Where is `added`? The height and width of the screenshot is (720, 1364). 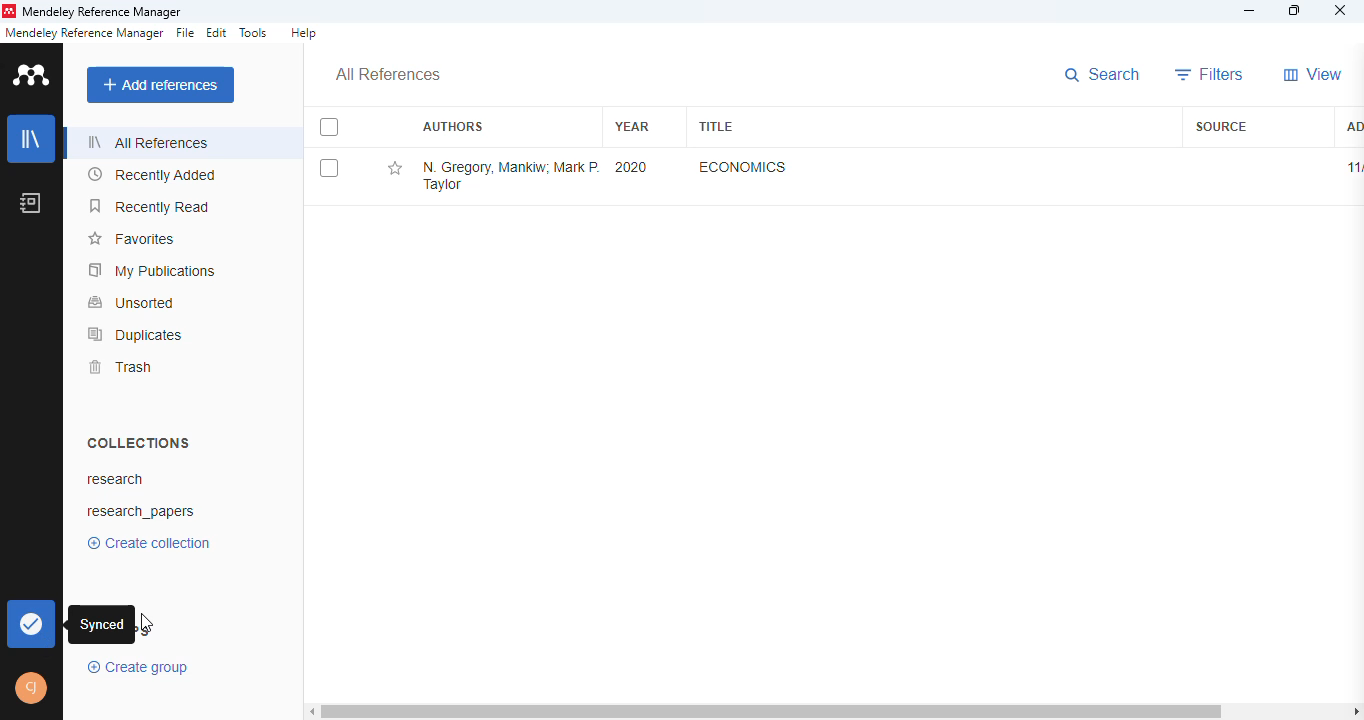 added is located at coordinates (1353, 127).